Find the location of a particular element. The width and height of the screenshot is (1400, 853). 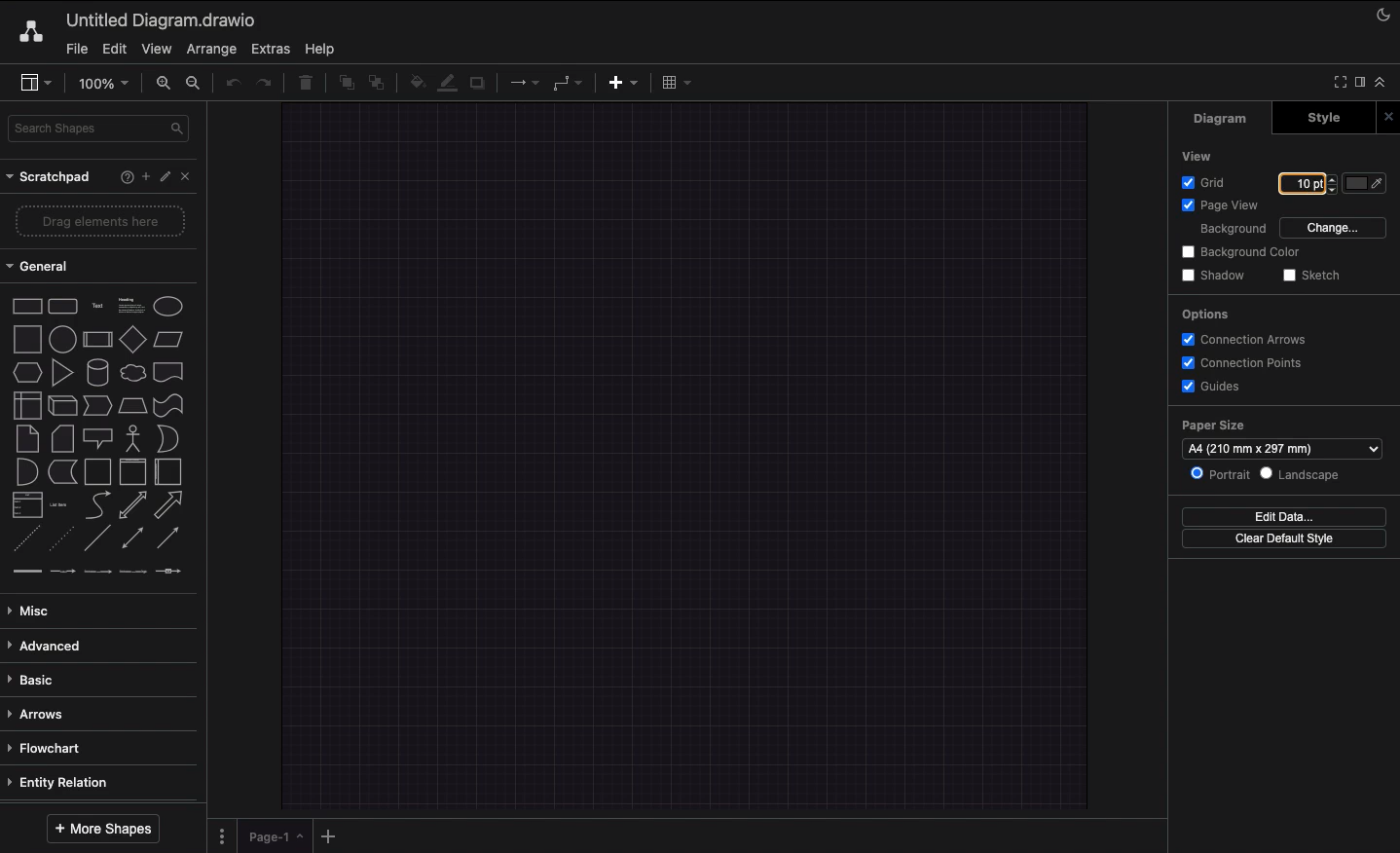

Redo is located at coordinates (267, 84).